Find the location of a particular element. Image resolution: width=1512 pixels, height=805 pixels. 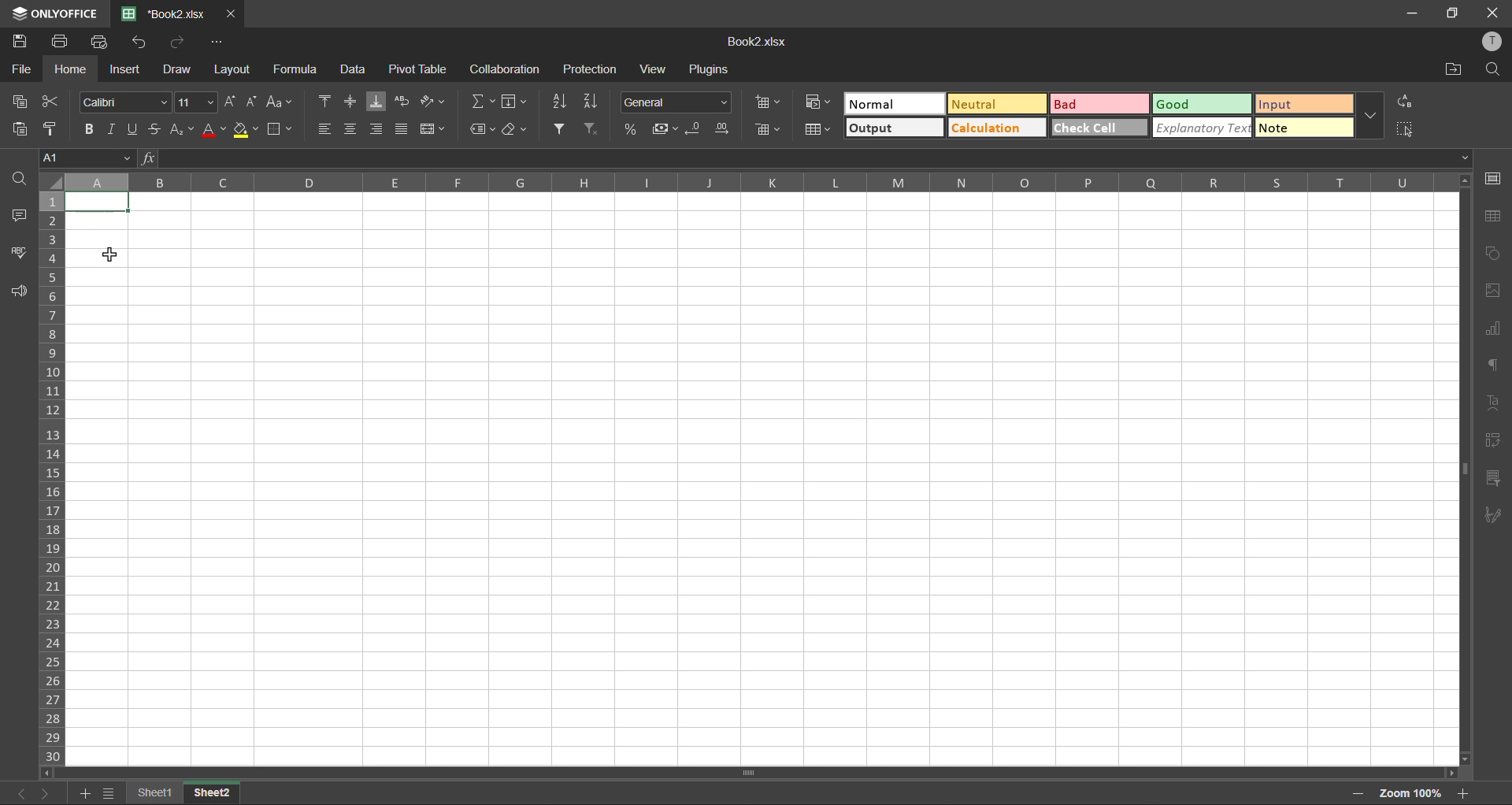

increase decimal is located at coordinates (726, 129).